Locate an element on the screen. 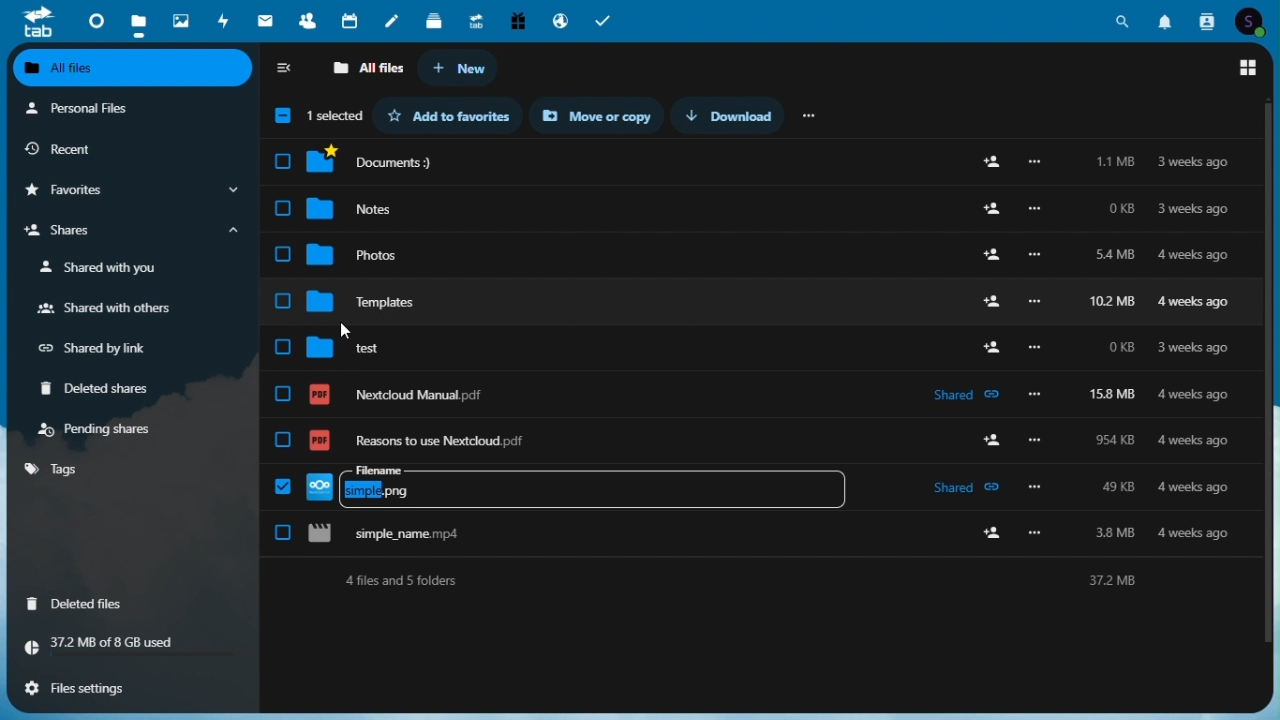 This screenshot has width=1280, height=720. 1 selected is located at coordinates (315, 118).